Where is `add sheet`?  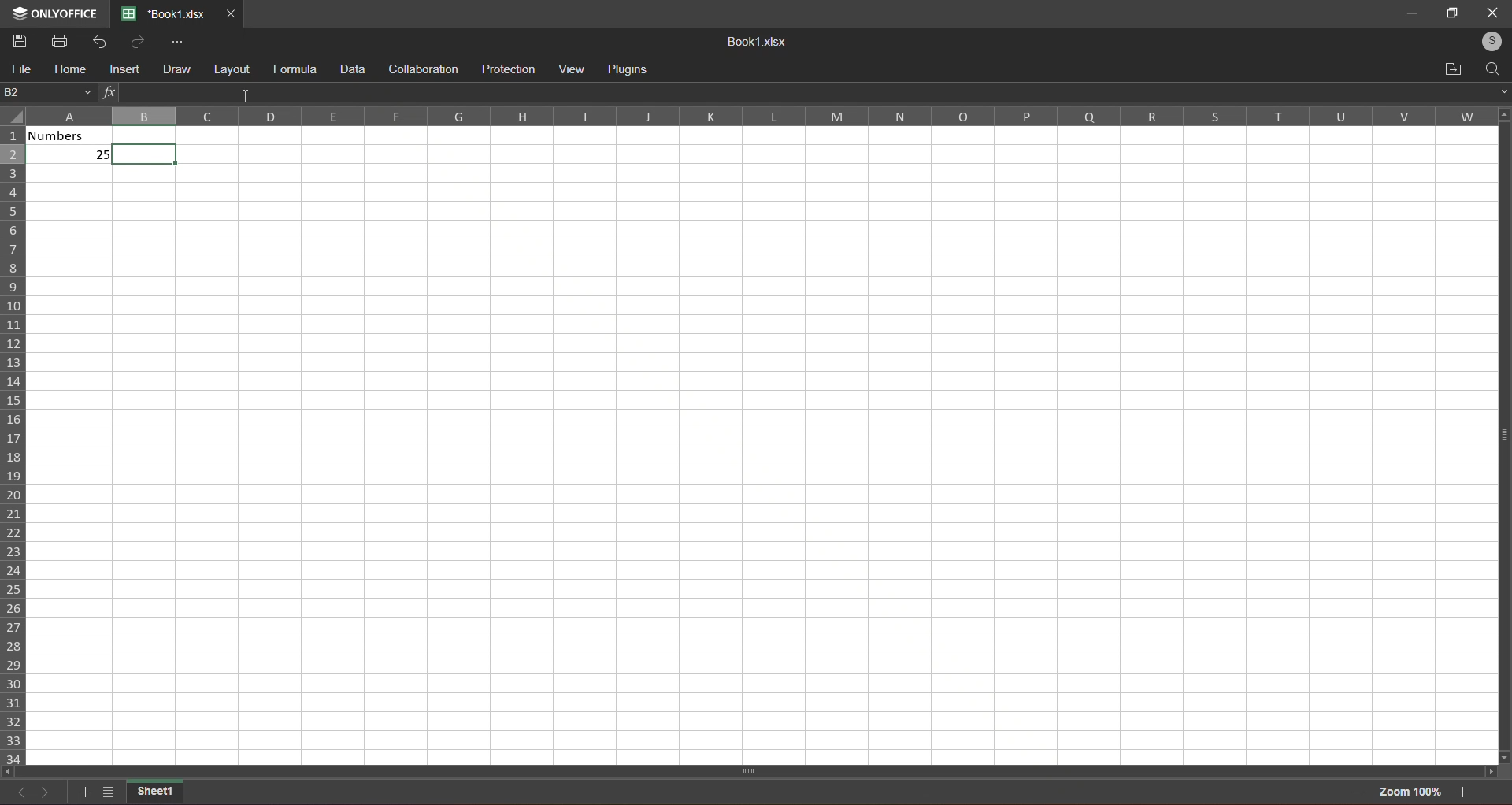
add sheet is located at coordinates (83, 792).